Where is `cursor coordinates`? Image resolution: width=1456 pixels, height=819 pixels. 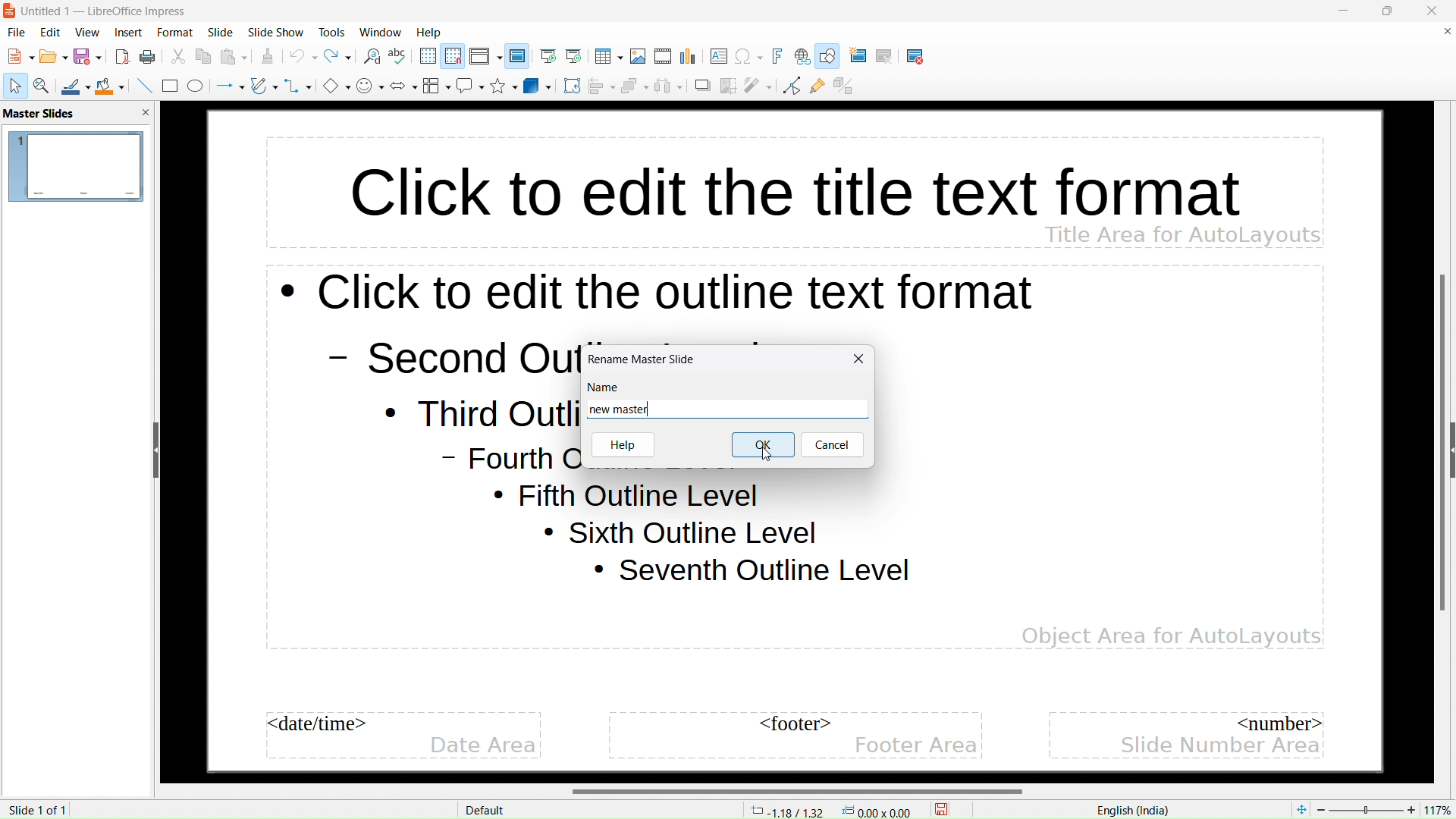
cursor coordinates is located at coordinates (788, 809).